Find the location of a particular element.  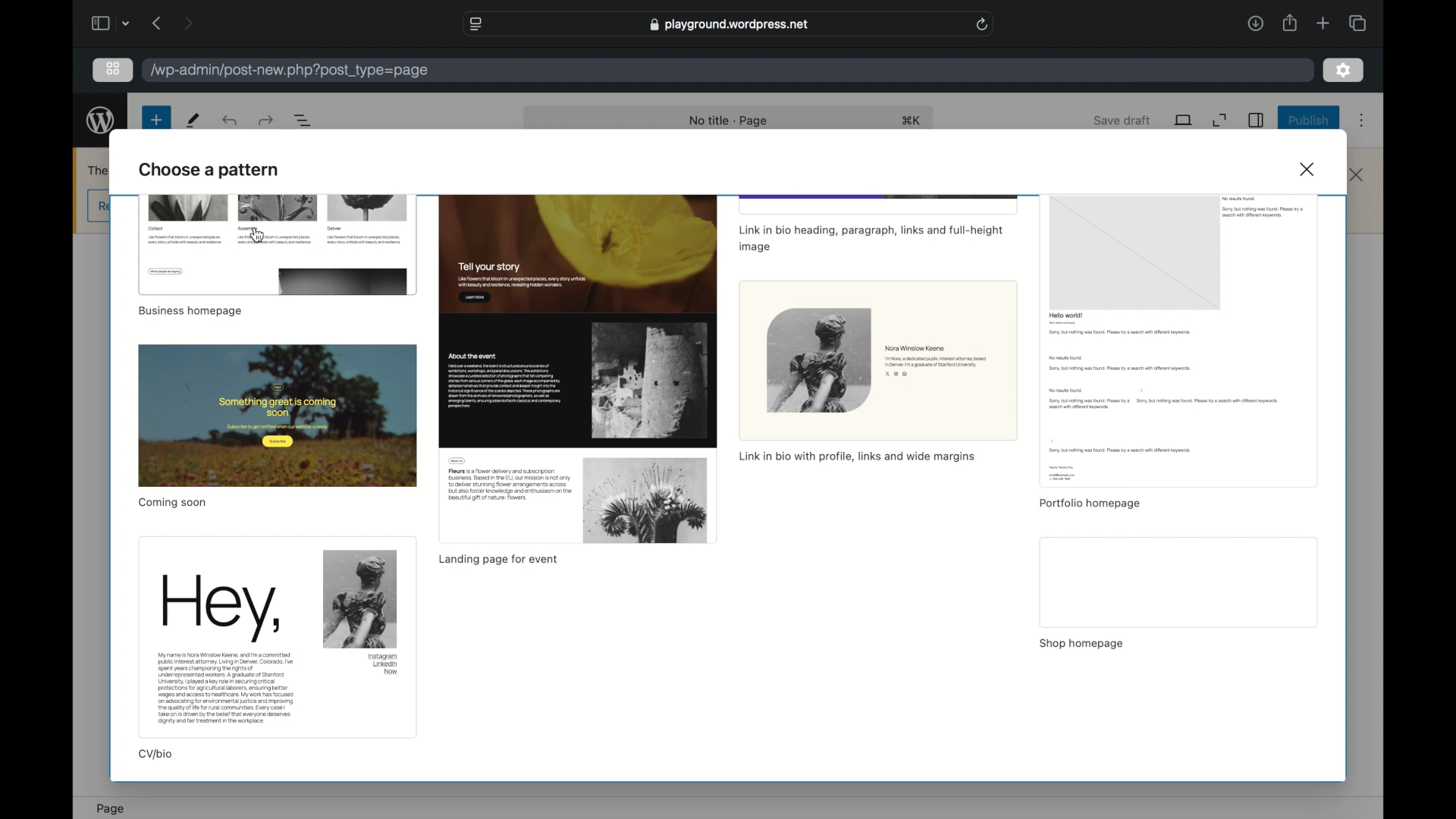

expand is located at coordinates (1219, 120).